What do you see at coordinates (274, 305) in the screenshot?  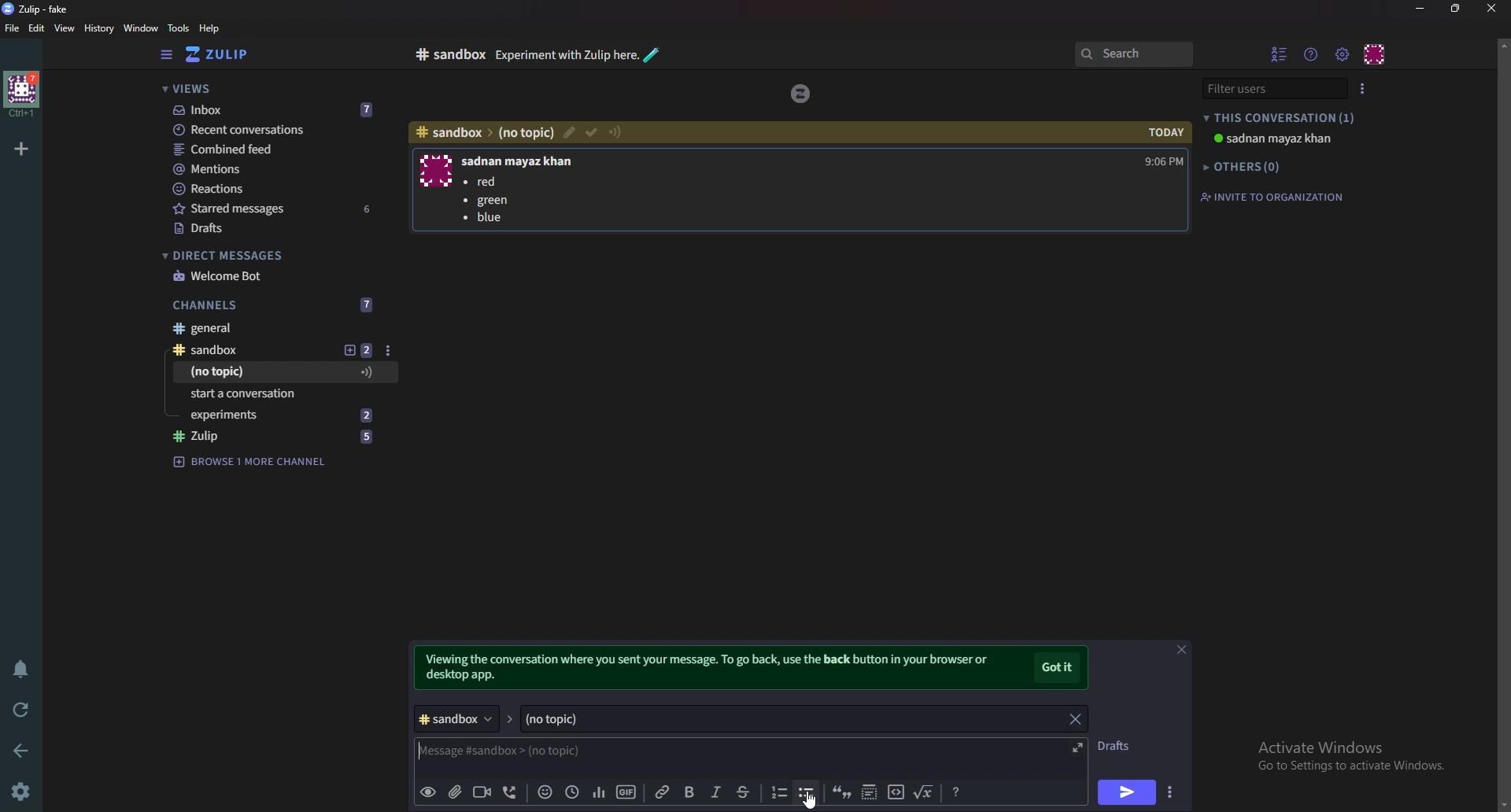 I see `Channels` at bounding box center [274, 305].